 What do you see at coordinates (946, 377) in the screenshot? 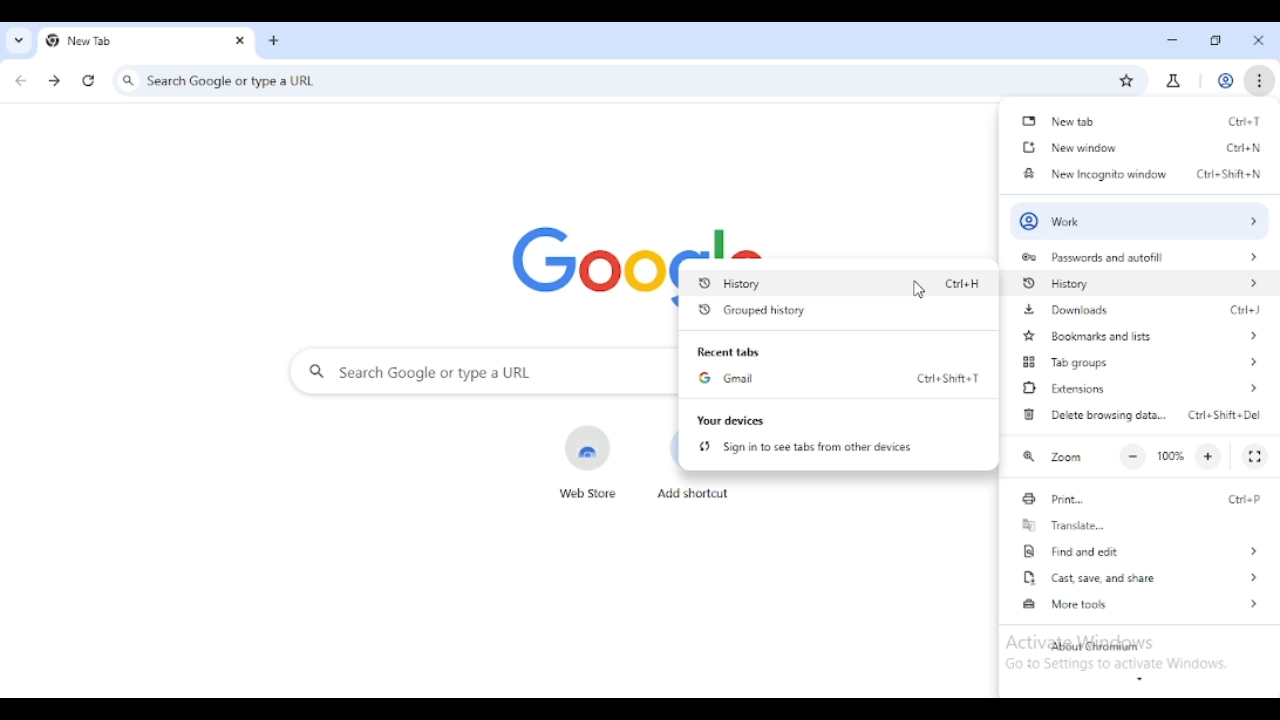
I see `shortcut for gmail` at bounding box center [946, 377].